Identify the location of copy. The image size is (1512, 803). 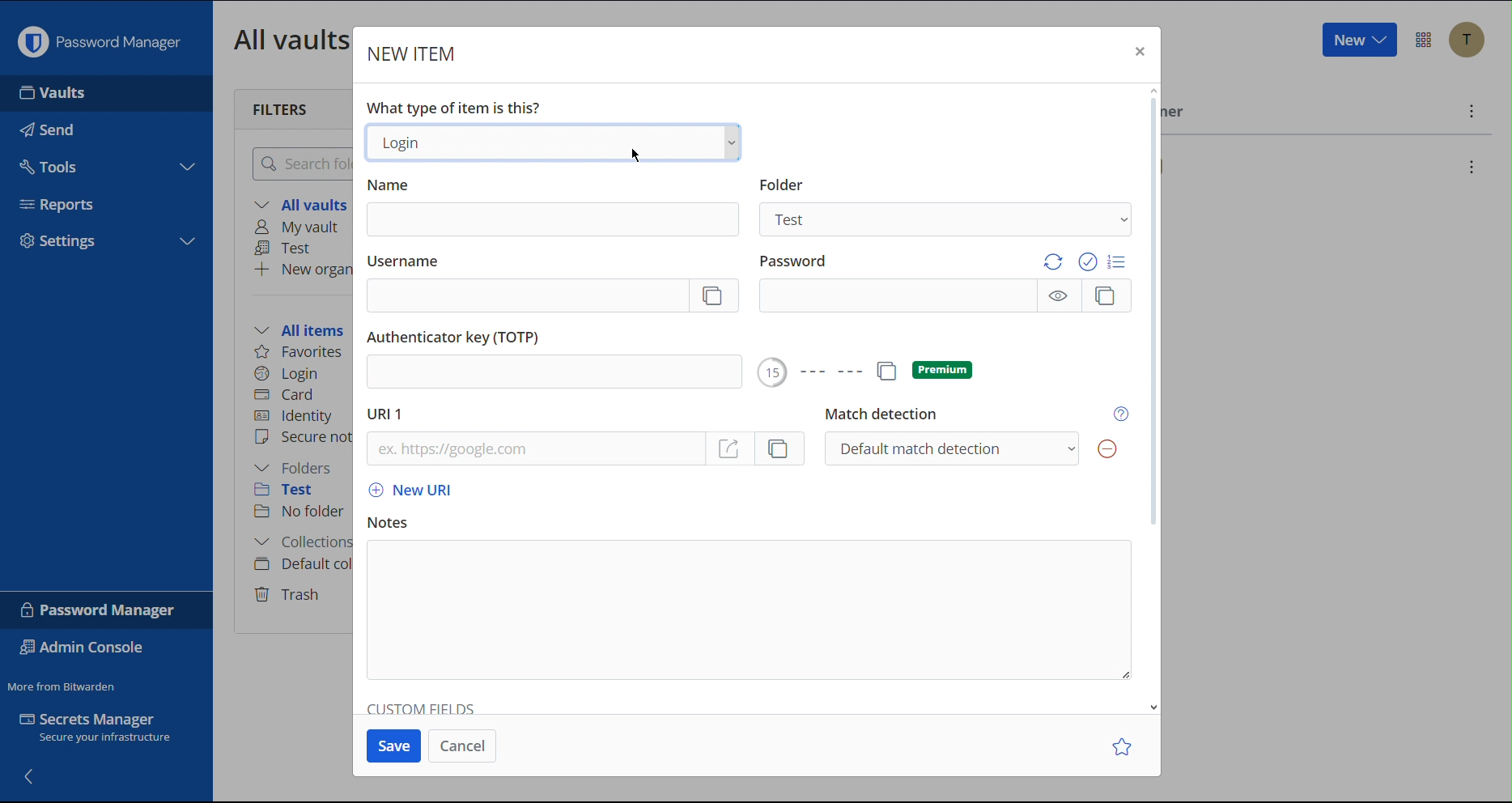
(885, 371).